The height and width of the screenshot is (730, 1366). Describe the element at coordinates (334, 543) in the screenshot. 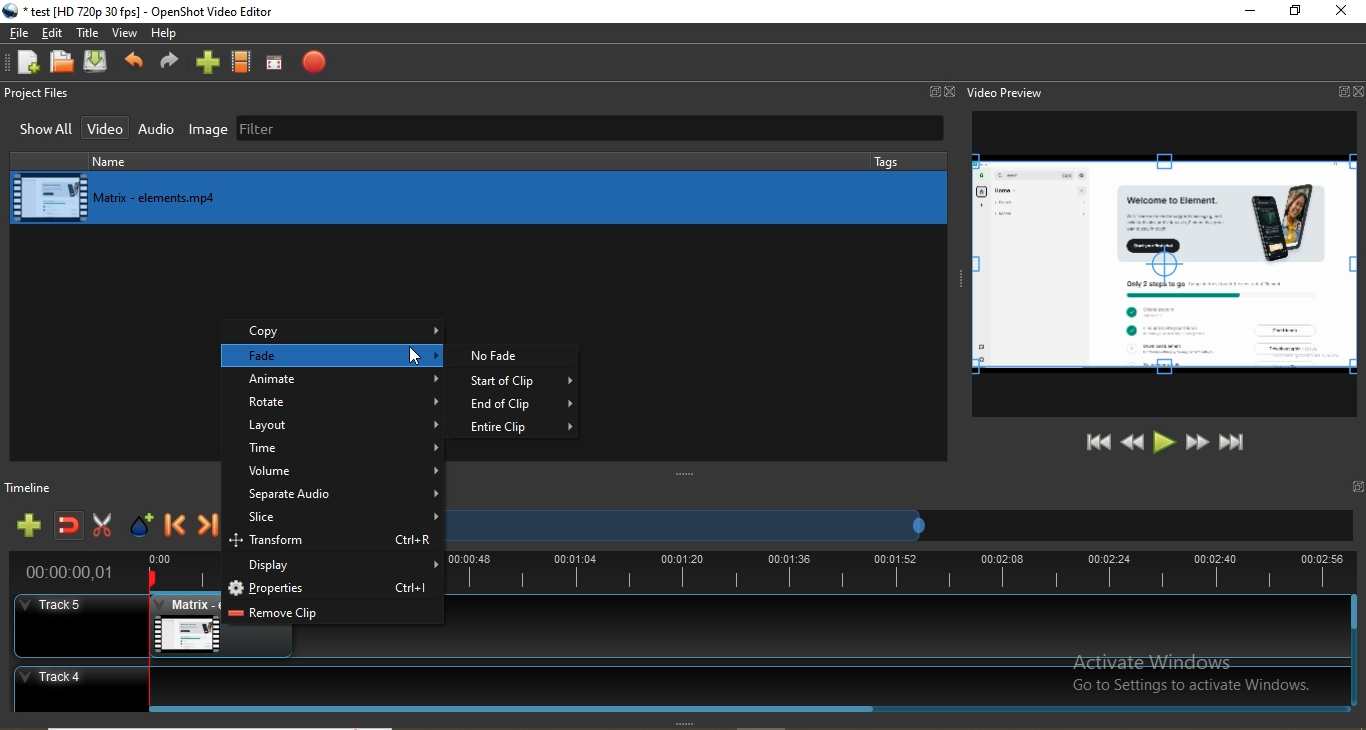

I see `transform` at that location.